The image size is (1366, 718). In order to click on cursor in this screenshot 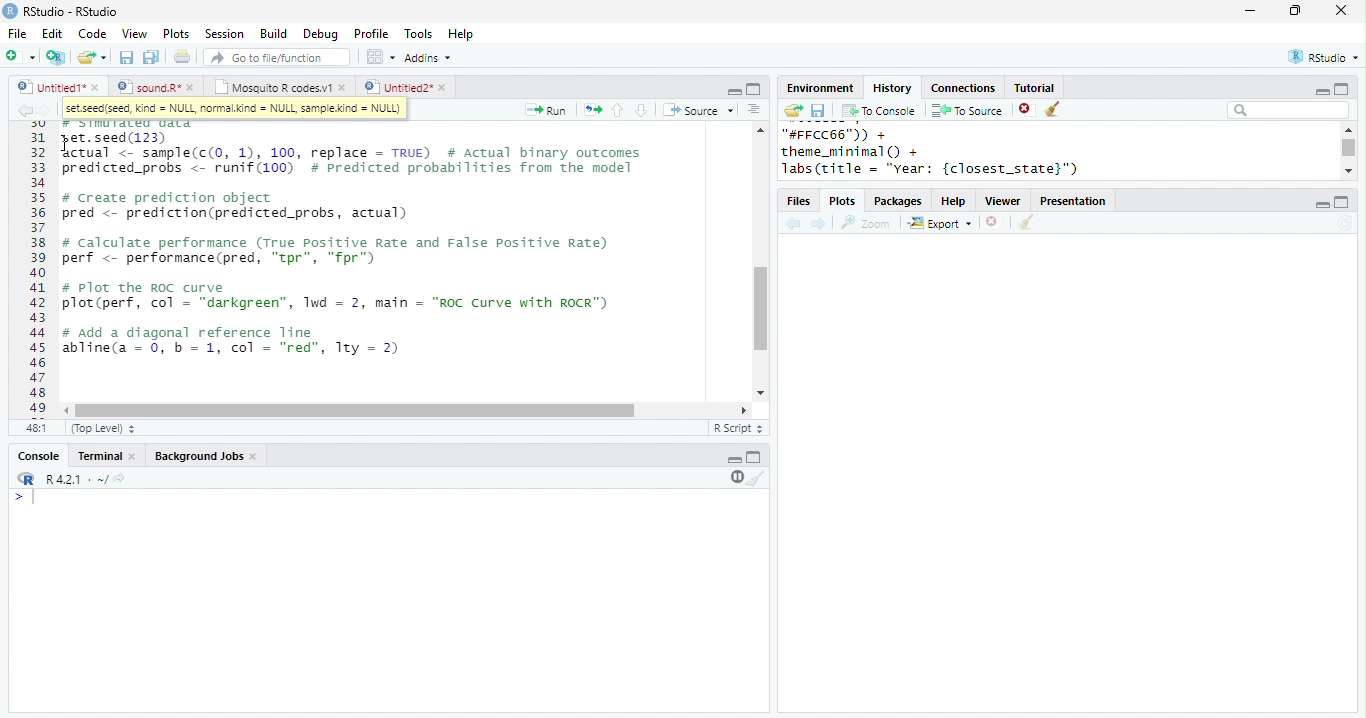, I will do `click(68, 145)`.